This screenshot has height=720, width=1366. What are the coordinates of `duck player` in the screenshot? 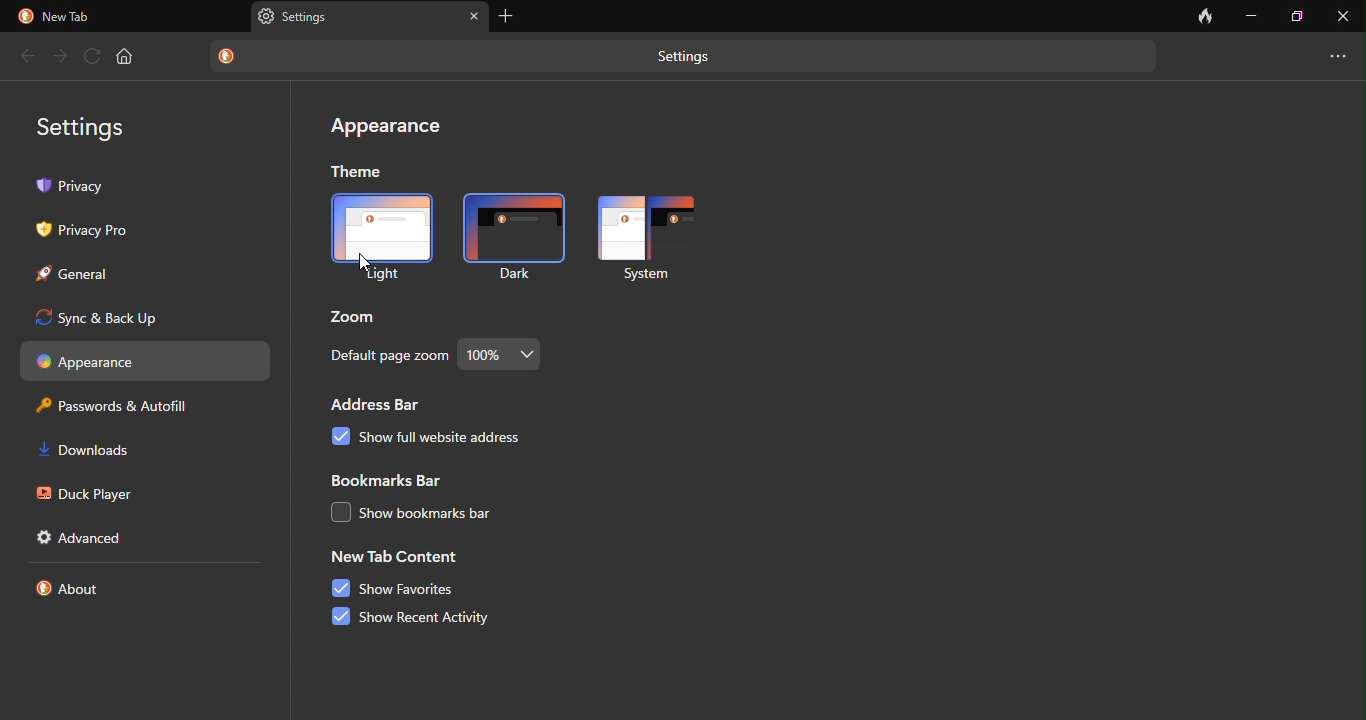 It's located at (88, 494).